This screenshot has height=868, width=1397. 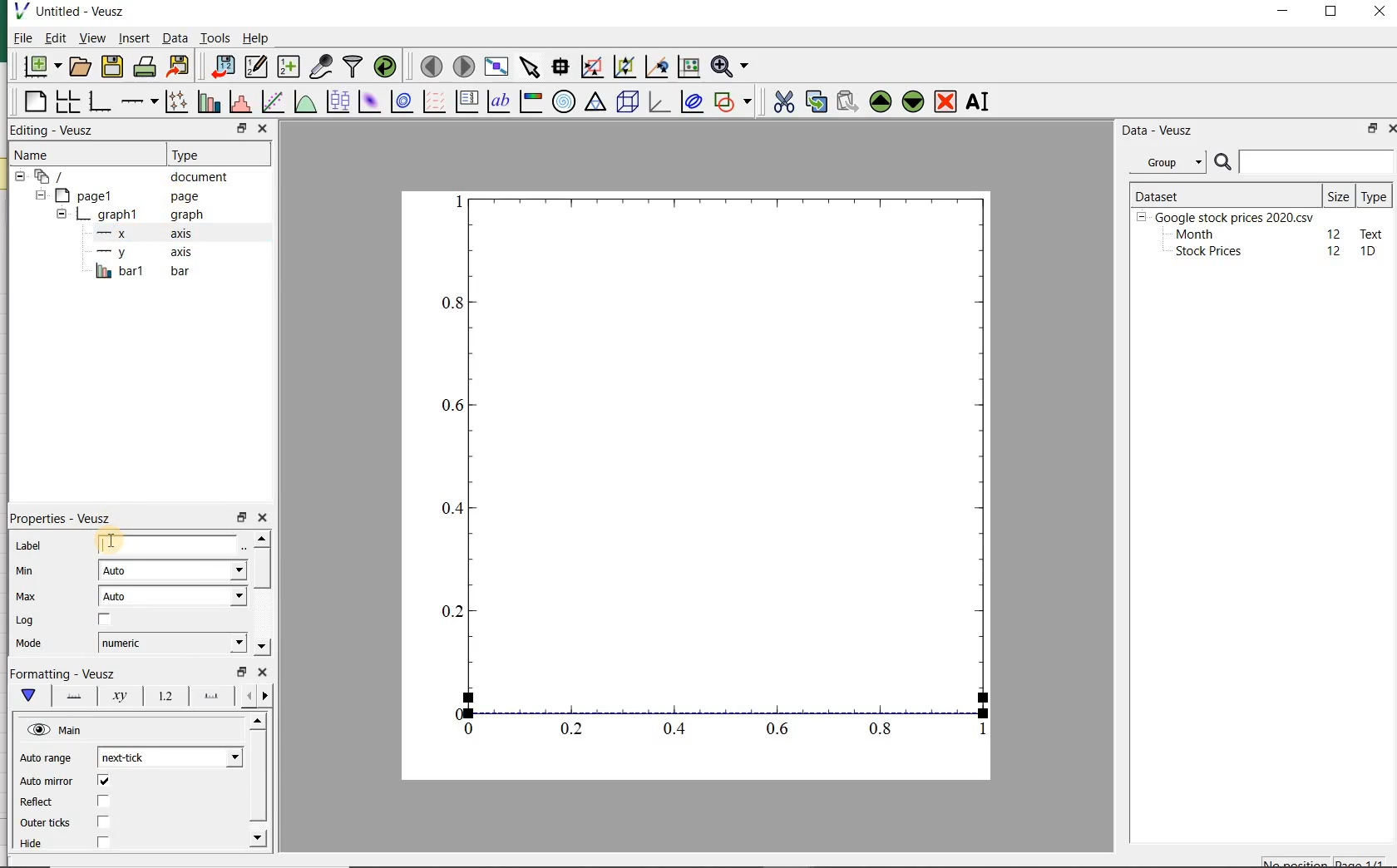 What do you see at coordinates (1335, 251) in the screenshot?
I see `12` at bounding box center [1335, 251].